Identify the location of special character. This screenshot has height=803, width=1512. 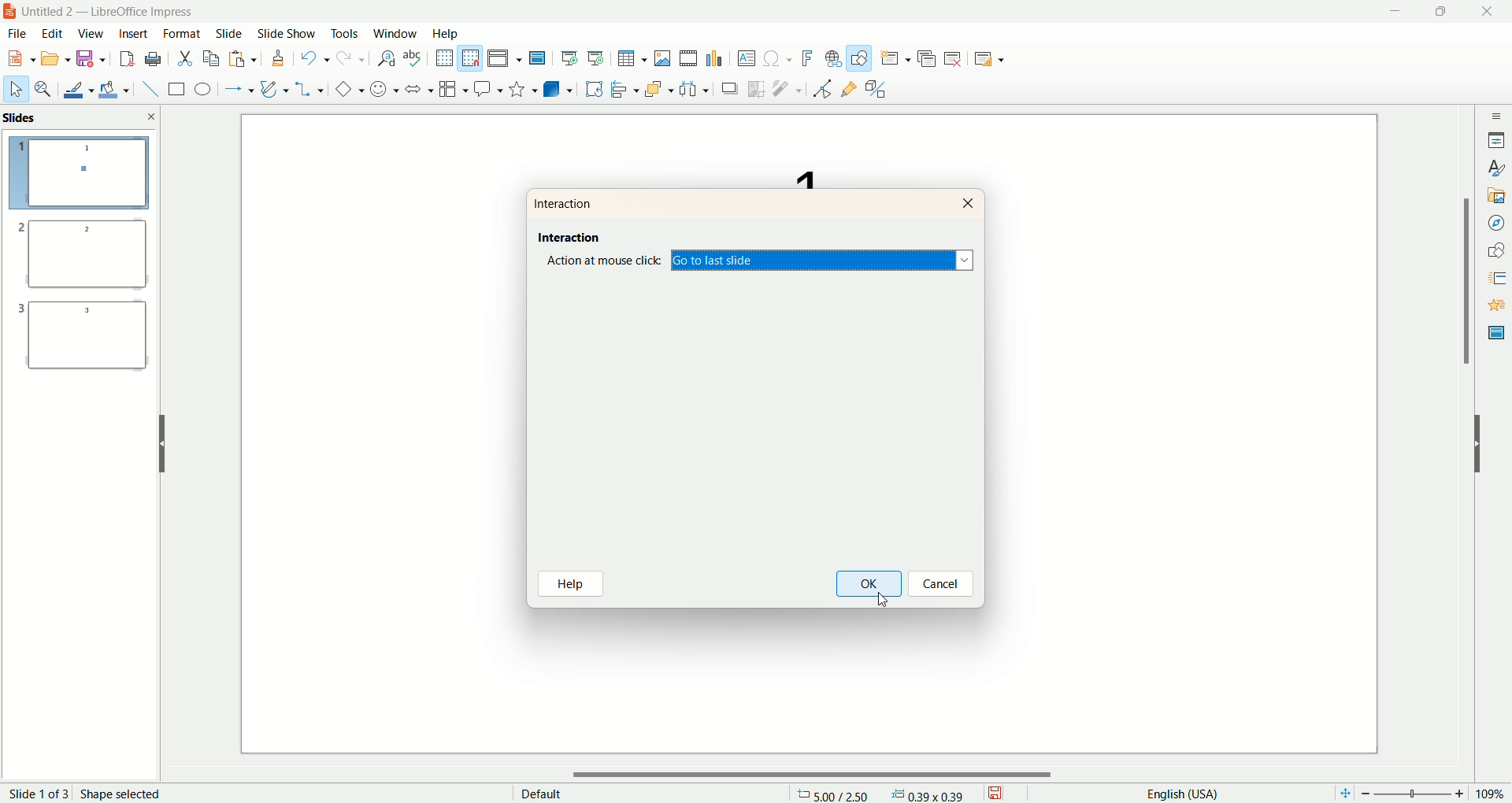
(776, 59).